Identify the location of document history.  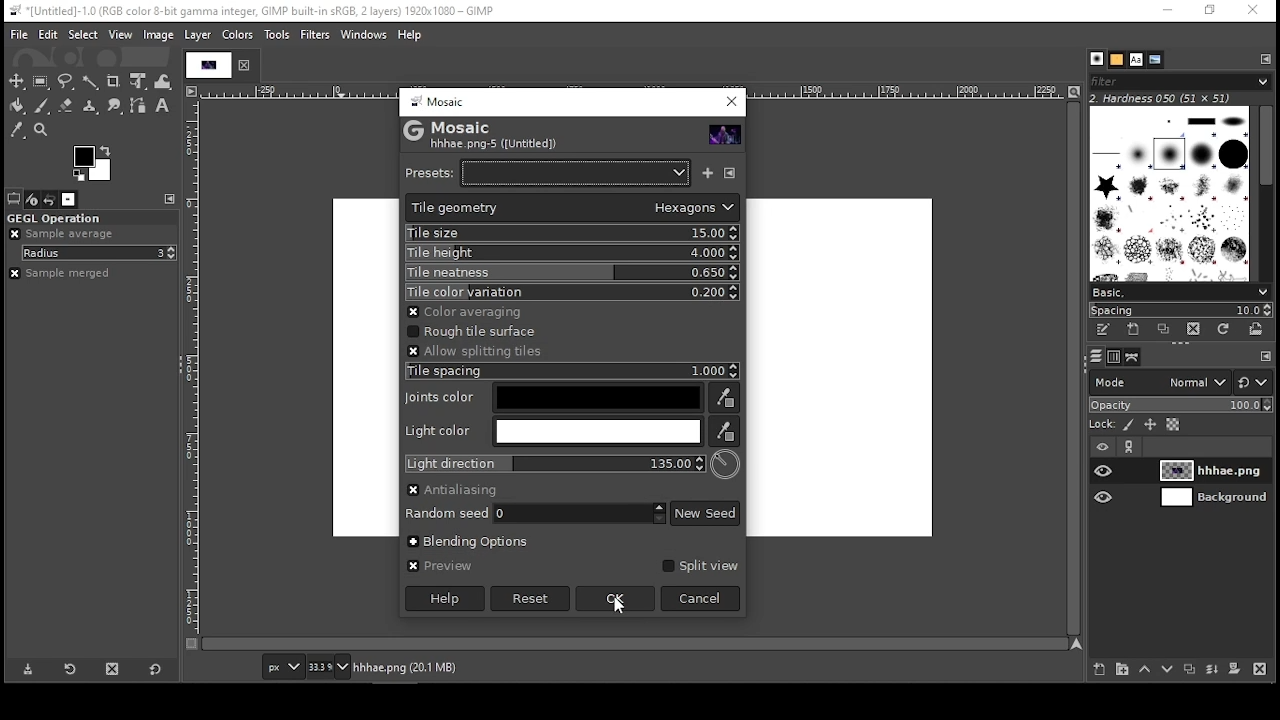
(1156, 59).